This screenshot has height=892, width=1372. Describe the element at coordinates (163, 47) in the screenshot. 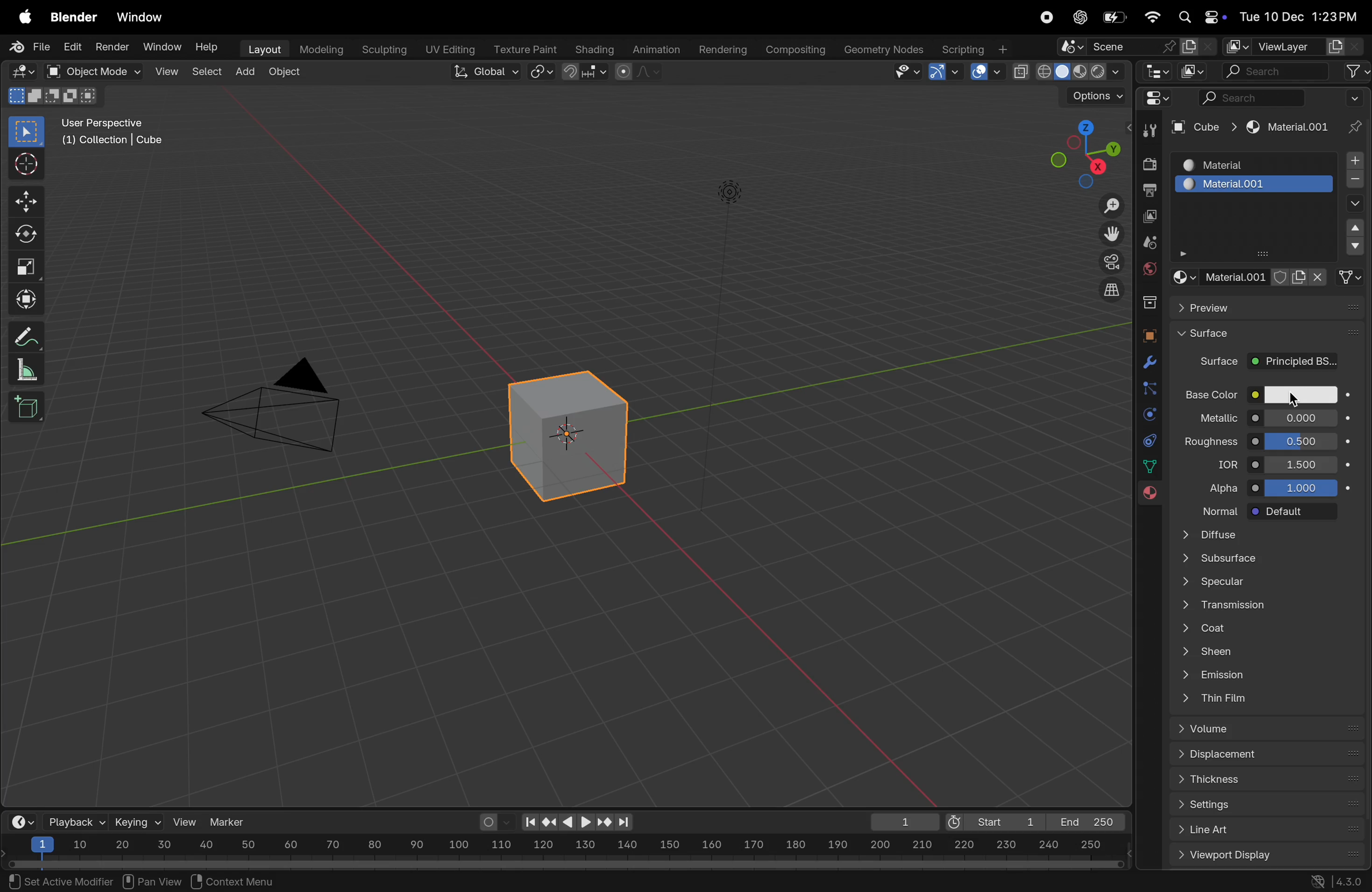

I see `Window` at that location.